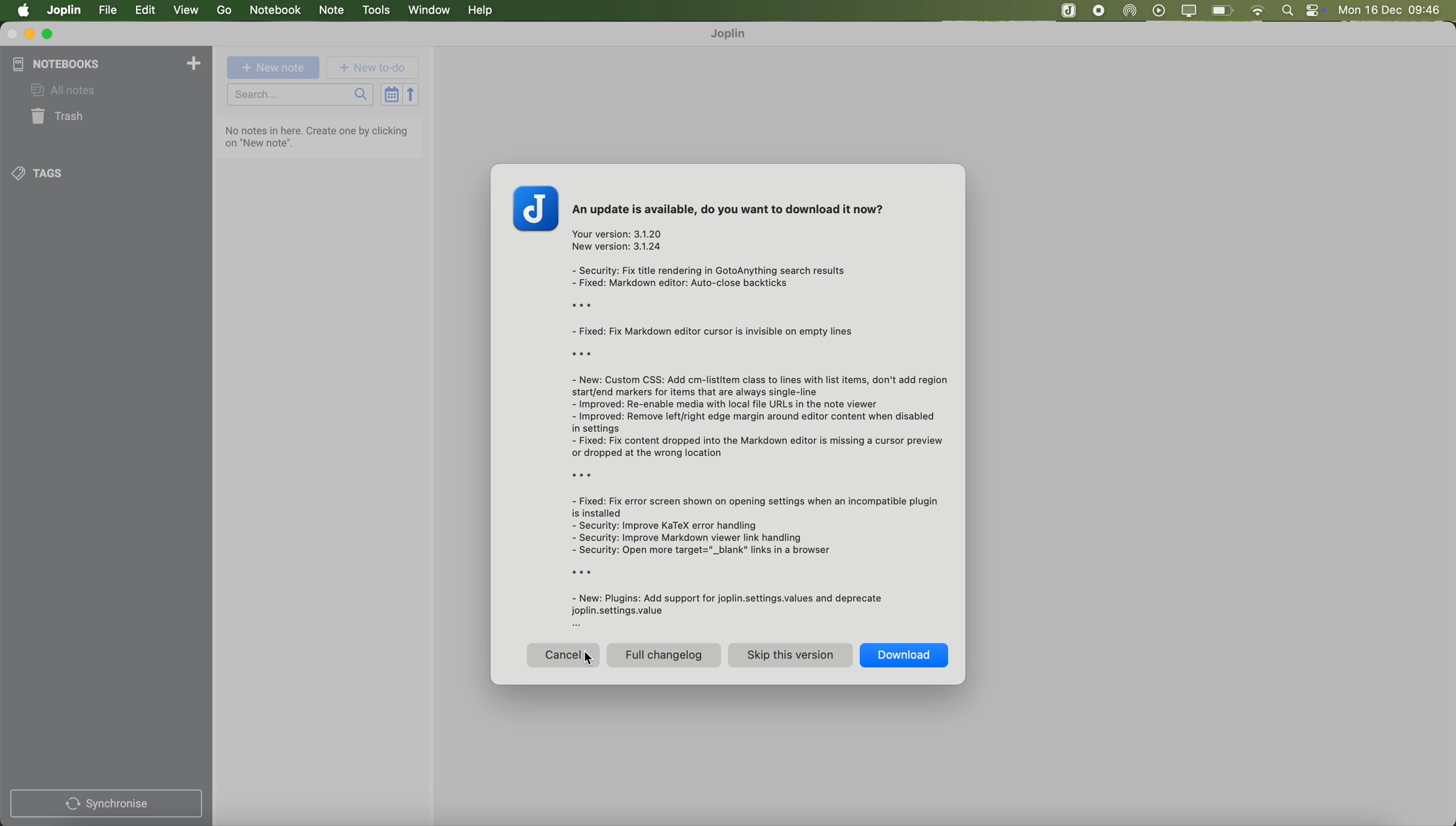  I want to click on tags, so click(41, 173).